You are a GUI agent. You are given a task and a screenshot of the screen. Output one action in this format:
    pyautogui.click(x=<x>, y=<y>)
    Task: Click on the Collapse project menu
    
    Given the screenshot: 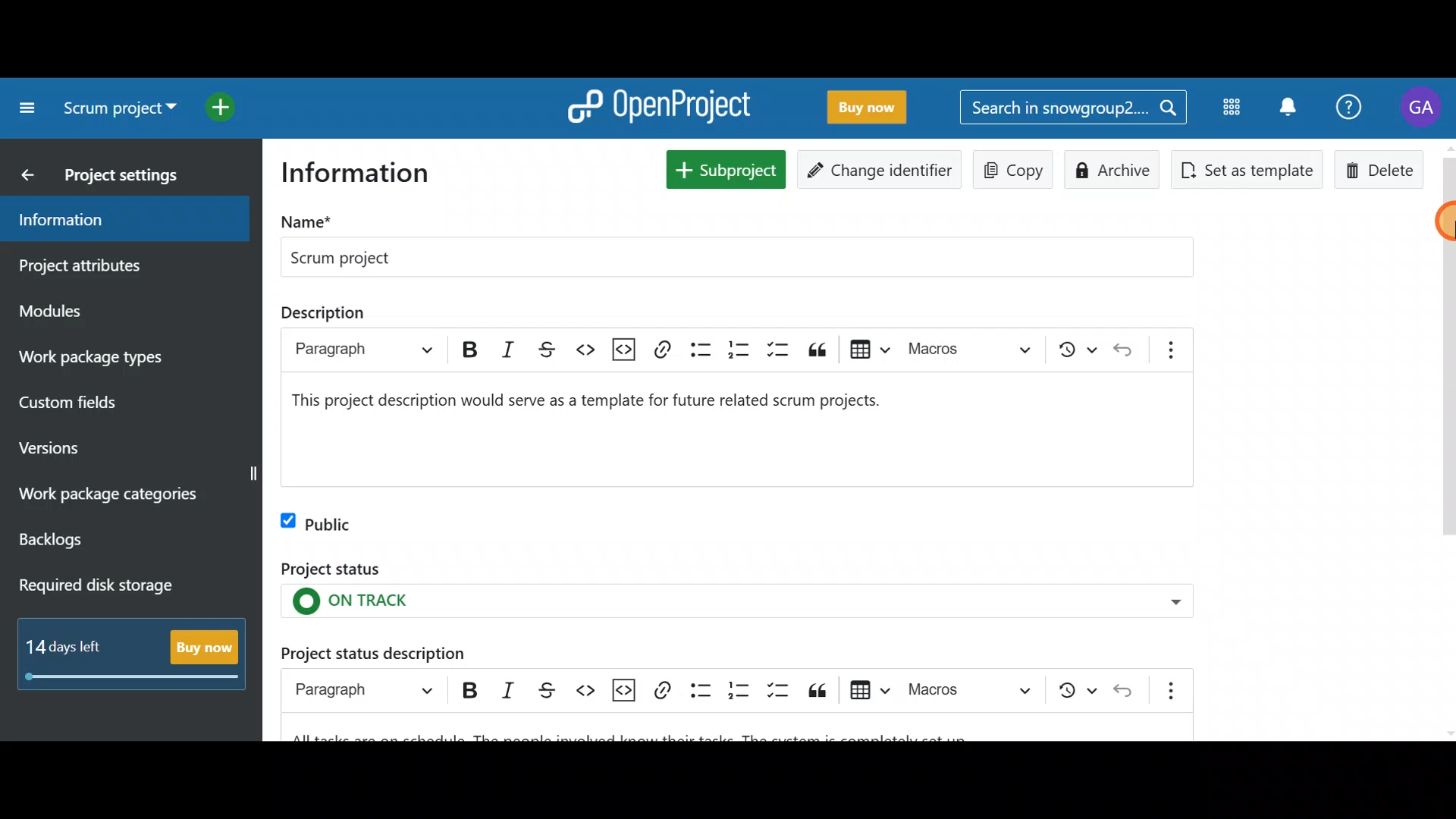 What is the action you would take?
    pyautogui.click(x=24, y=108)
    